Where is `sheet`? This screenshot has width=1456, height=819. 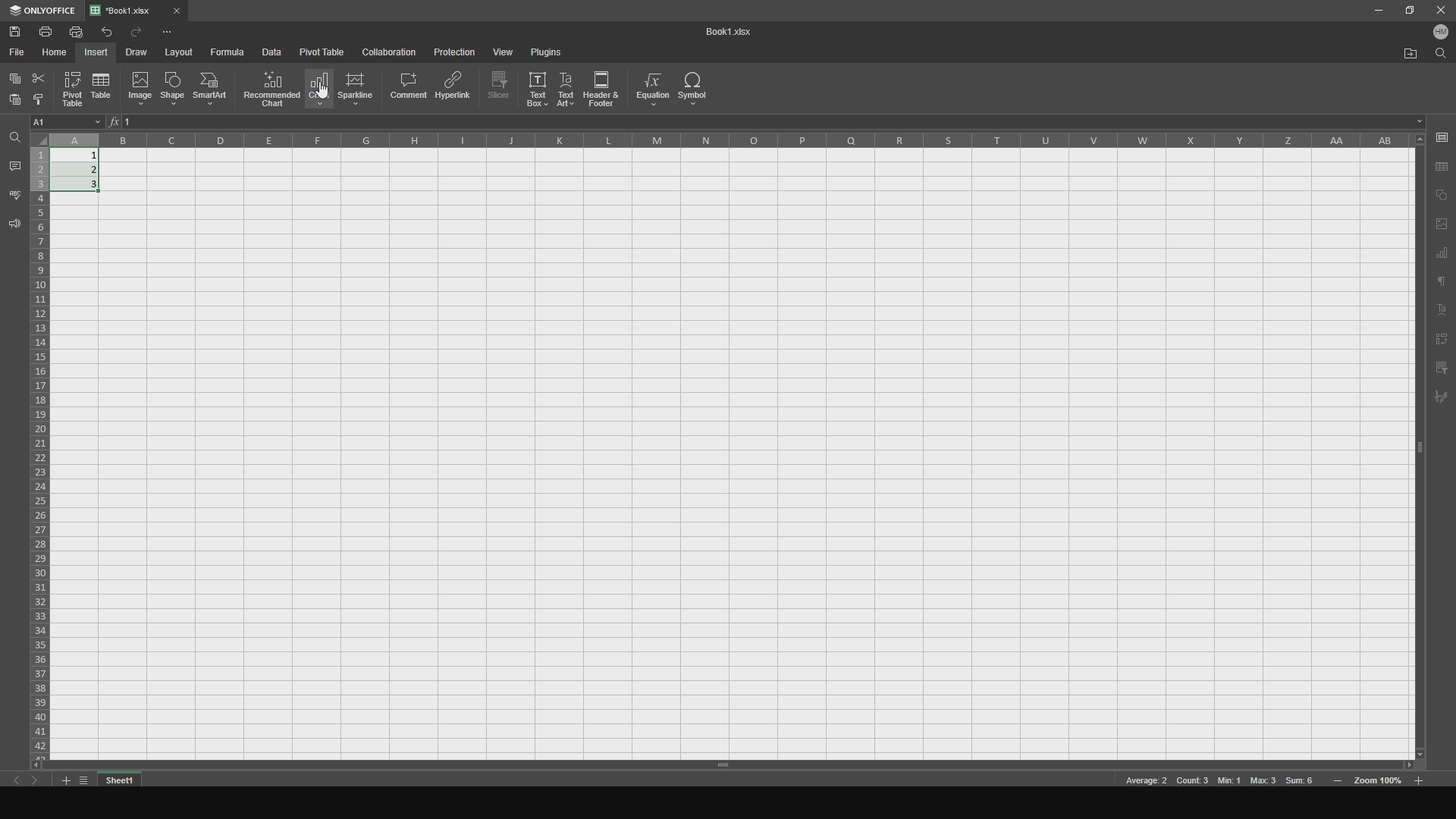
sheet is located at coordinates (122, 780).